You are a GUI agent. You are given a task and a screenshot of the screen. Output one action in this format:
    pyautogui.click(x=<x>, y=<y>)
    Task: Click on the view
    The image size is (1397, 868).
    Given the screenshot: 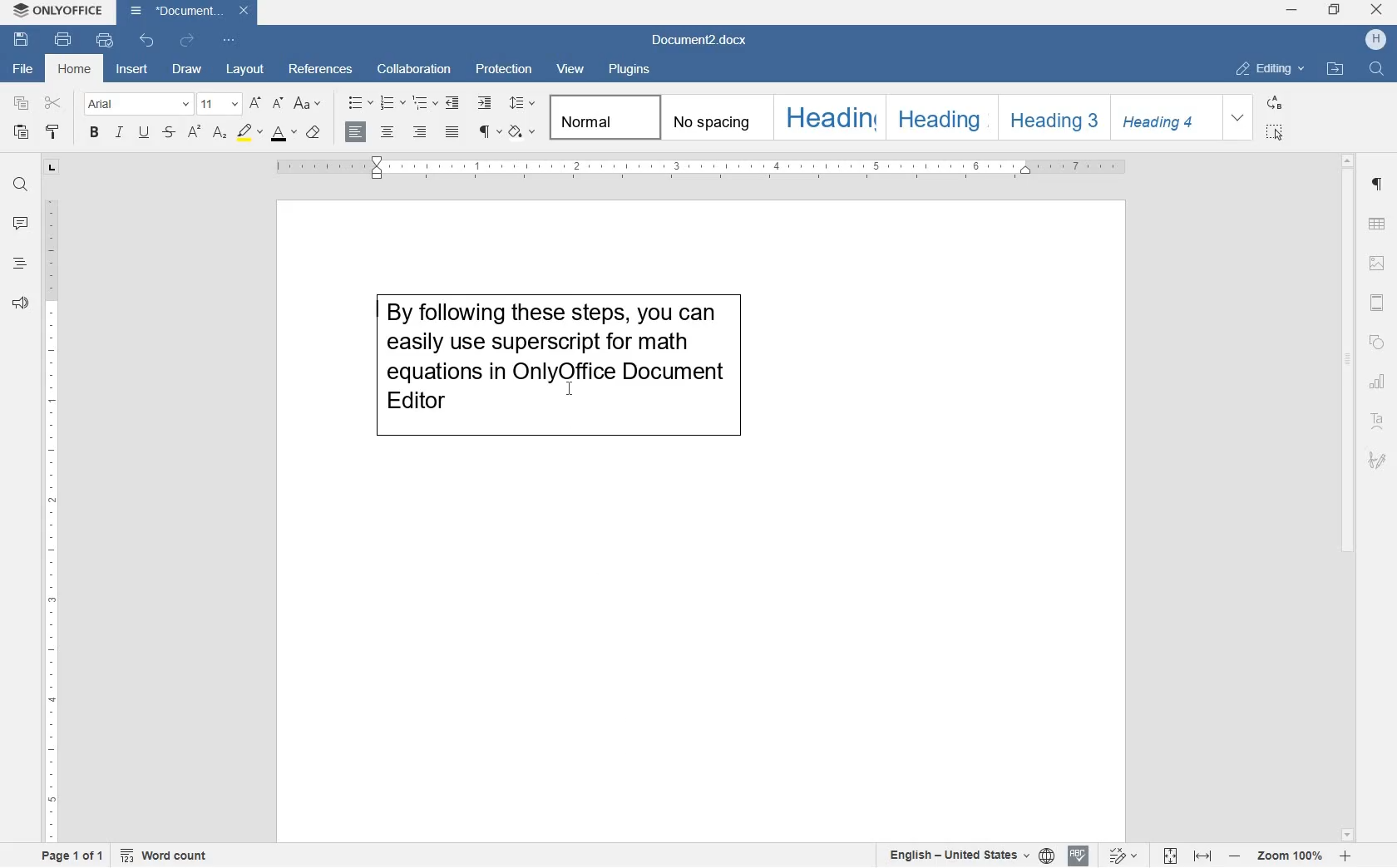 What is the action you would take?
    pyautogui.click(x=571, y=70)
    